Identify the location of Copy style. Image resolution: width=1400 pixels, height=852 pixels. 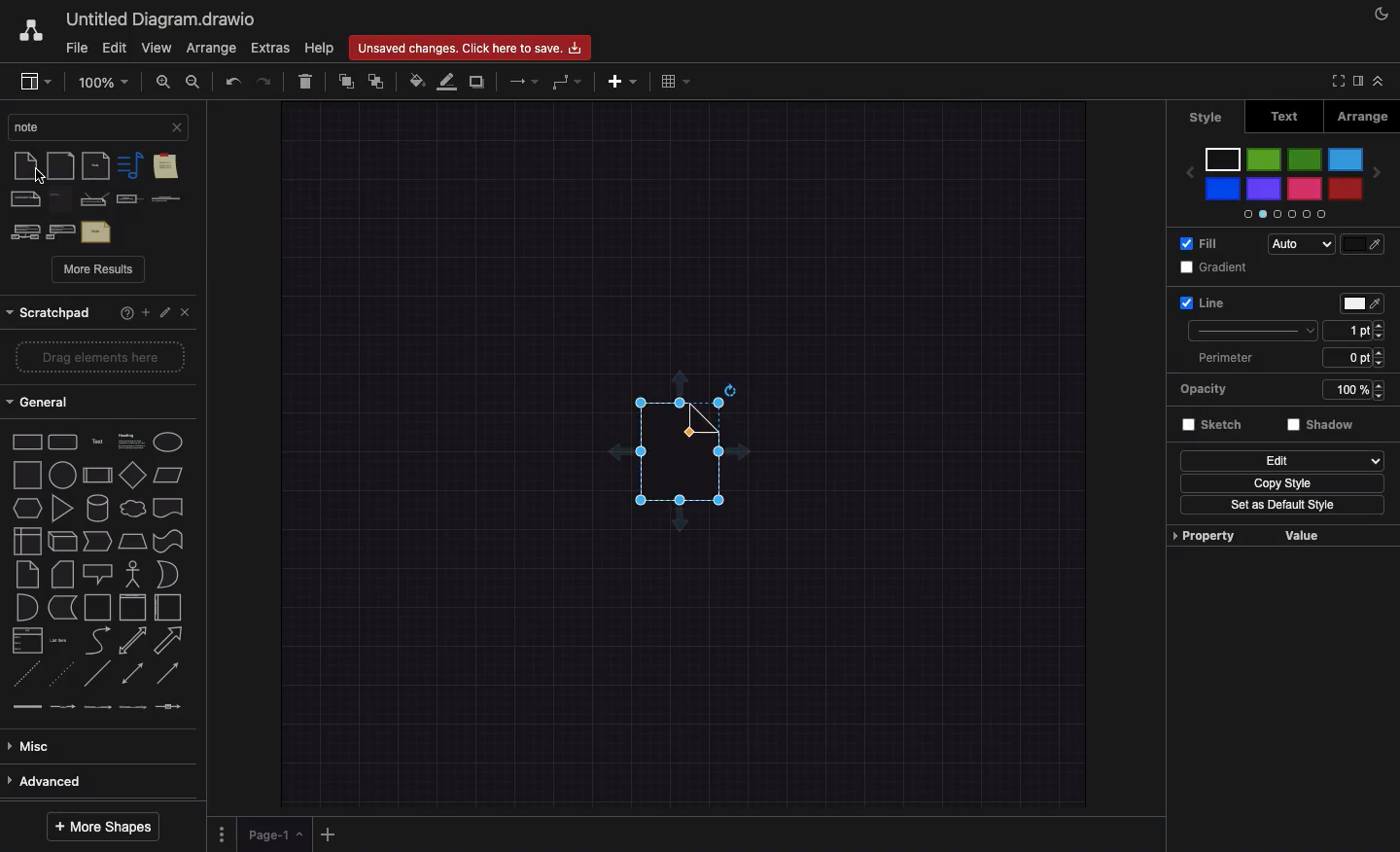
(1283, 483).